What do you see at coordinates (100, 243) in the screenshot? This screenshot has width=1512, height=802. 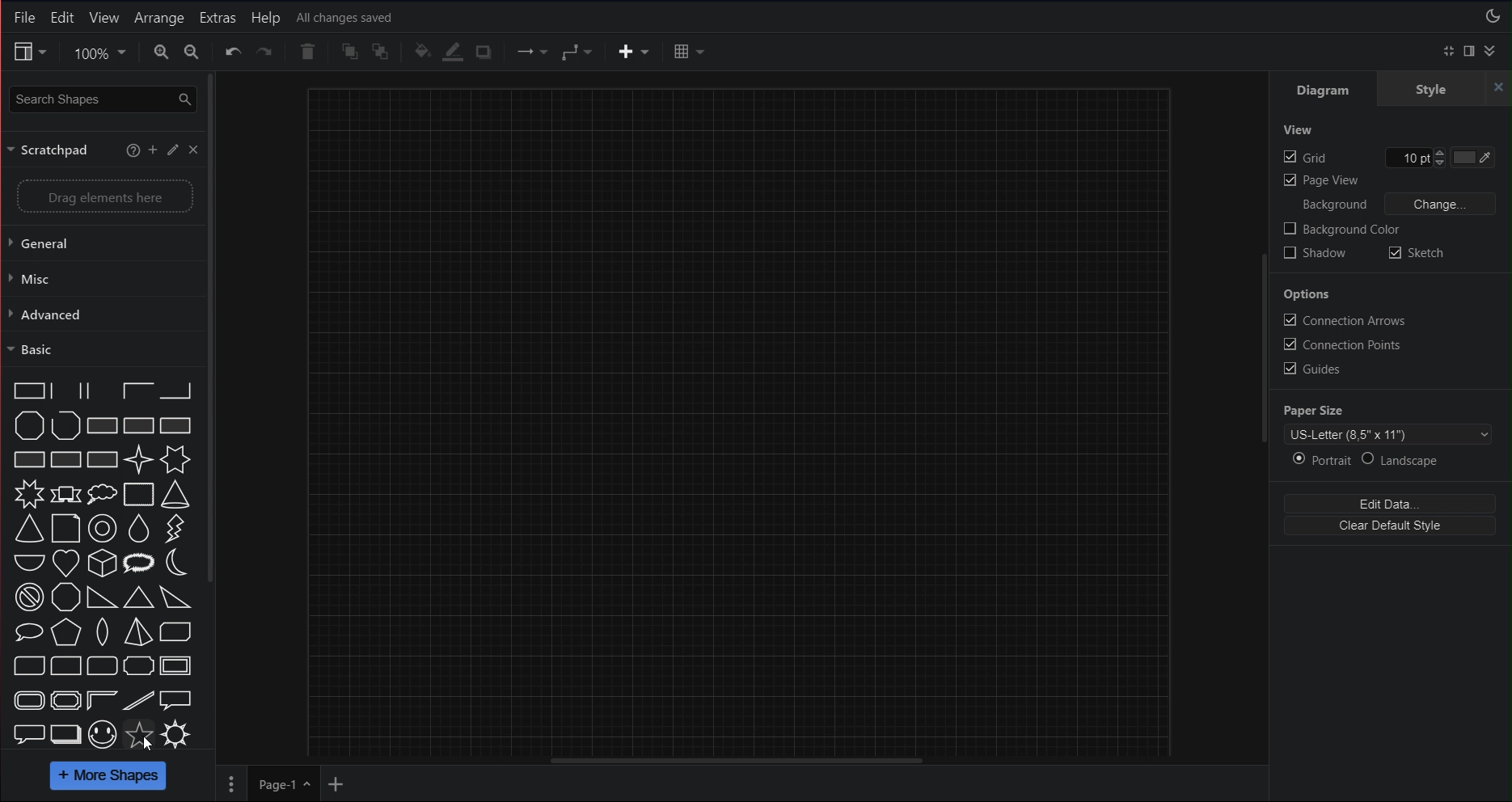 I see `General` at bounding box center [100, 243].